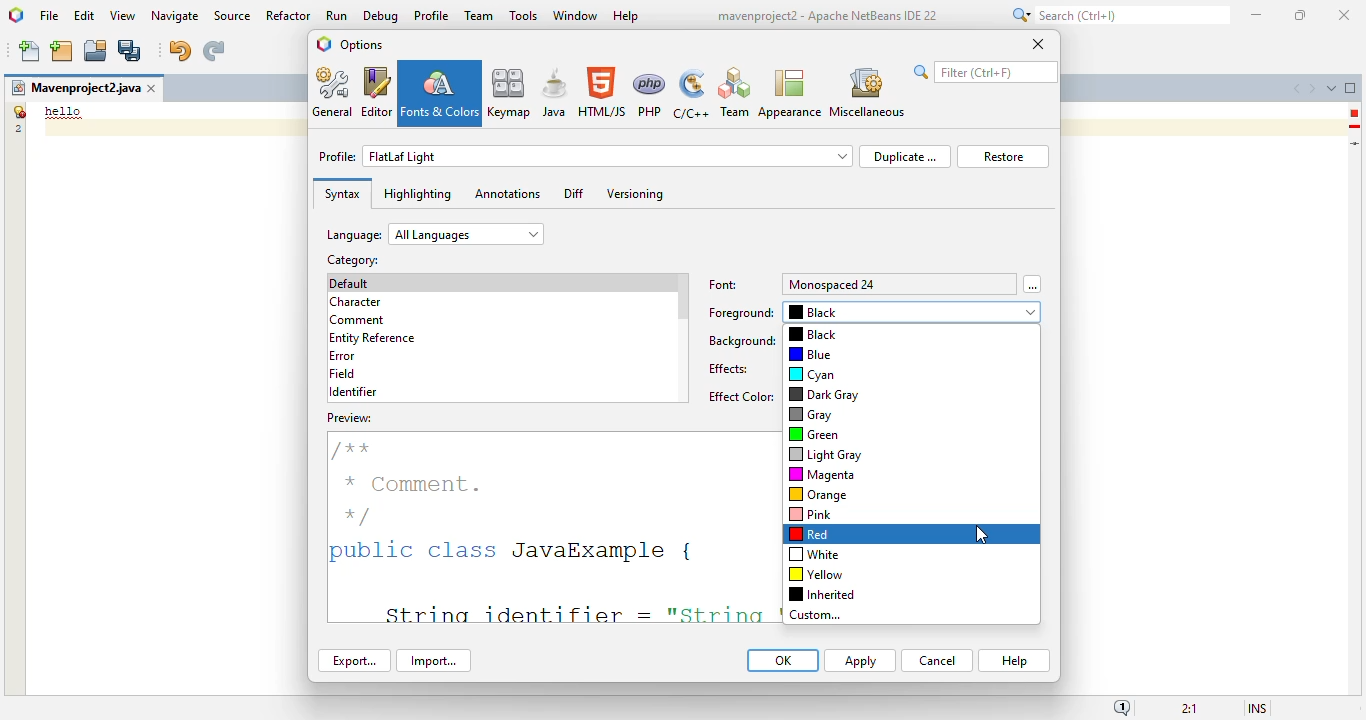  Describe the element at coordinates (1118, 15) in the screenshot. I see `search` at that location.